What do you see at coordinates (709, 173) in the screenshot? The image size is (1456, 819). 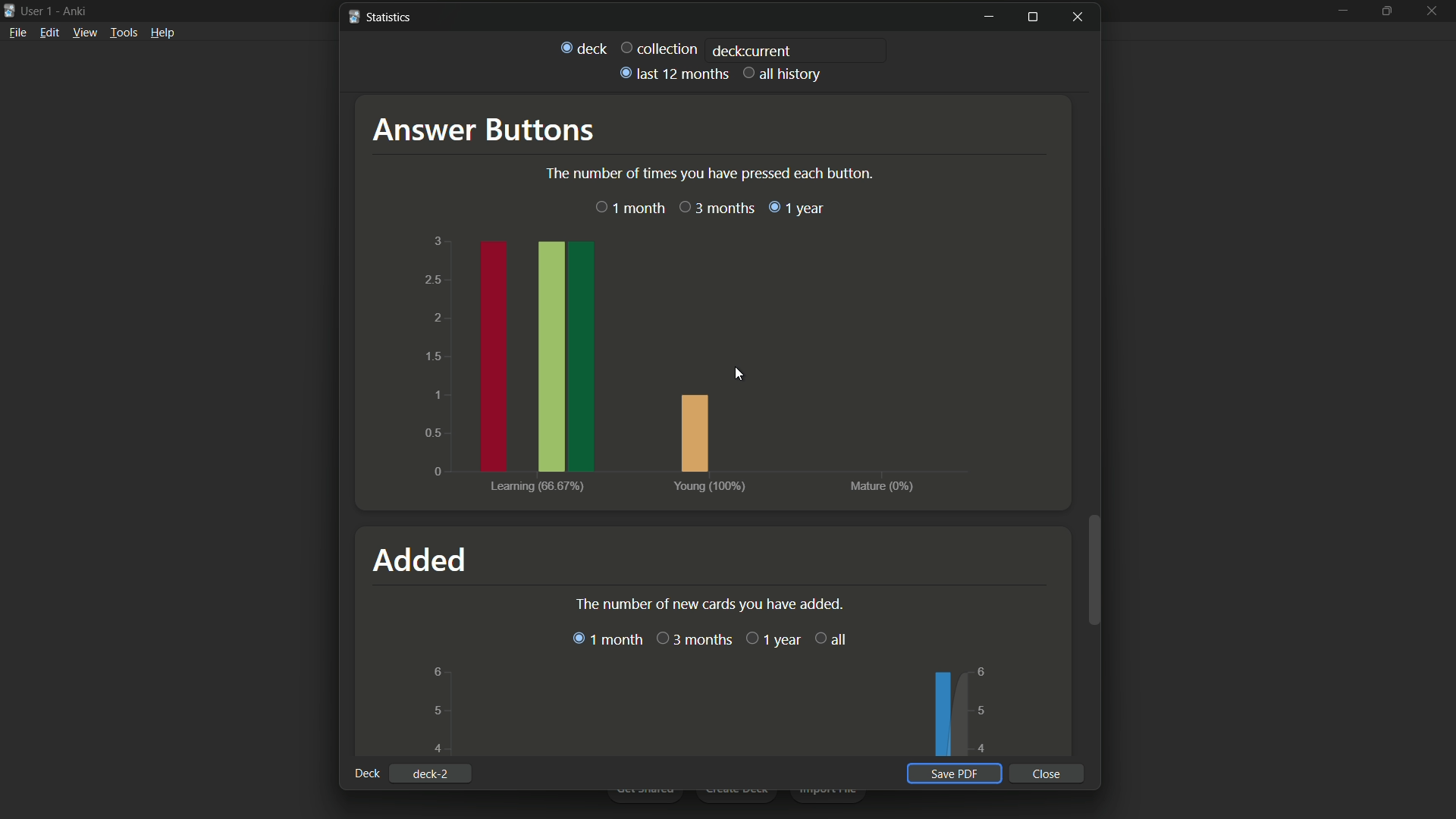 I see `The number of times you have pressed each buttons` at bounding box center [709, 173].